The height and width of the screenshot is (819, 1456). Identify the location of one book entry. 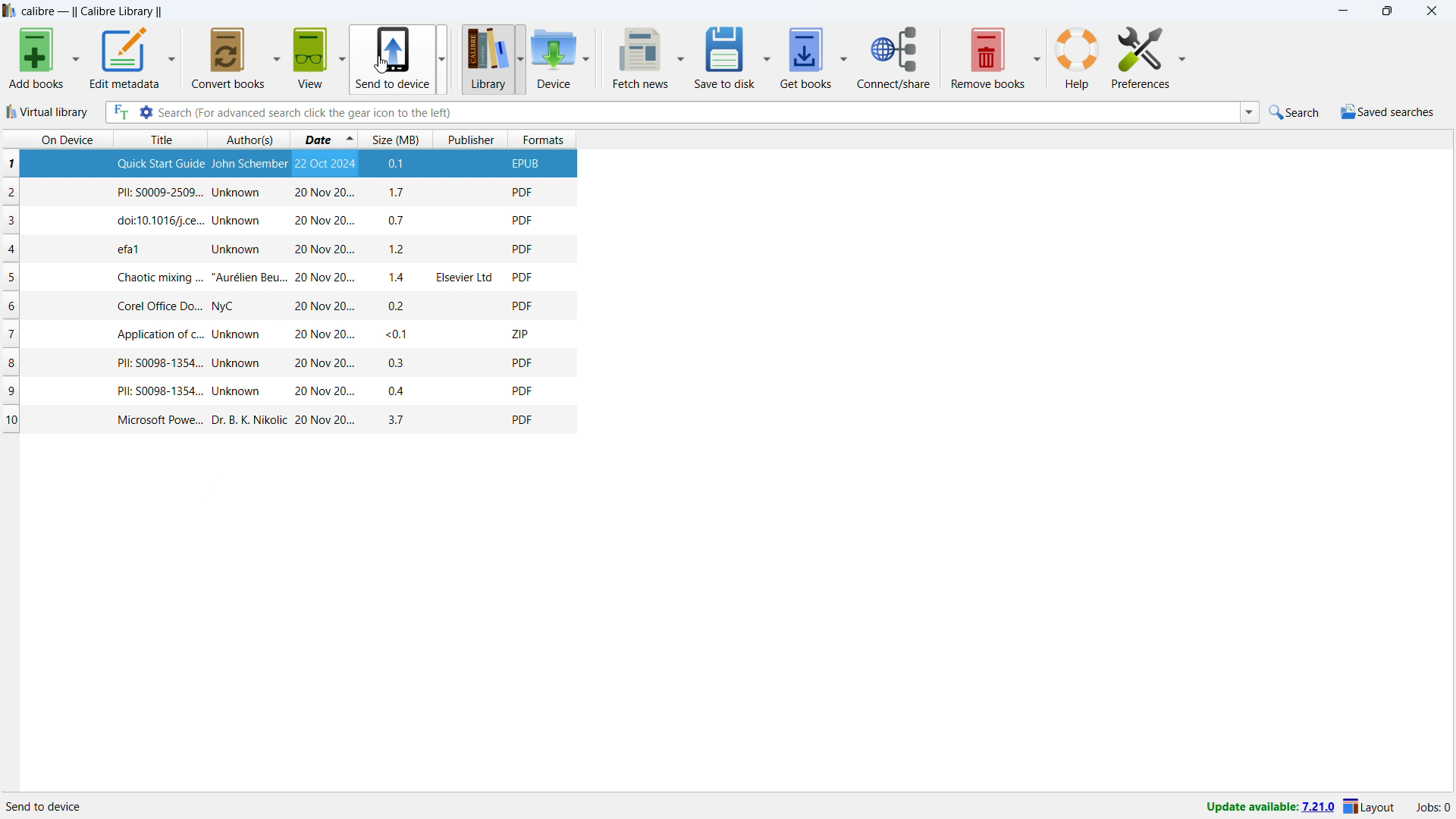
(283, 249).